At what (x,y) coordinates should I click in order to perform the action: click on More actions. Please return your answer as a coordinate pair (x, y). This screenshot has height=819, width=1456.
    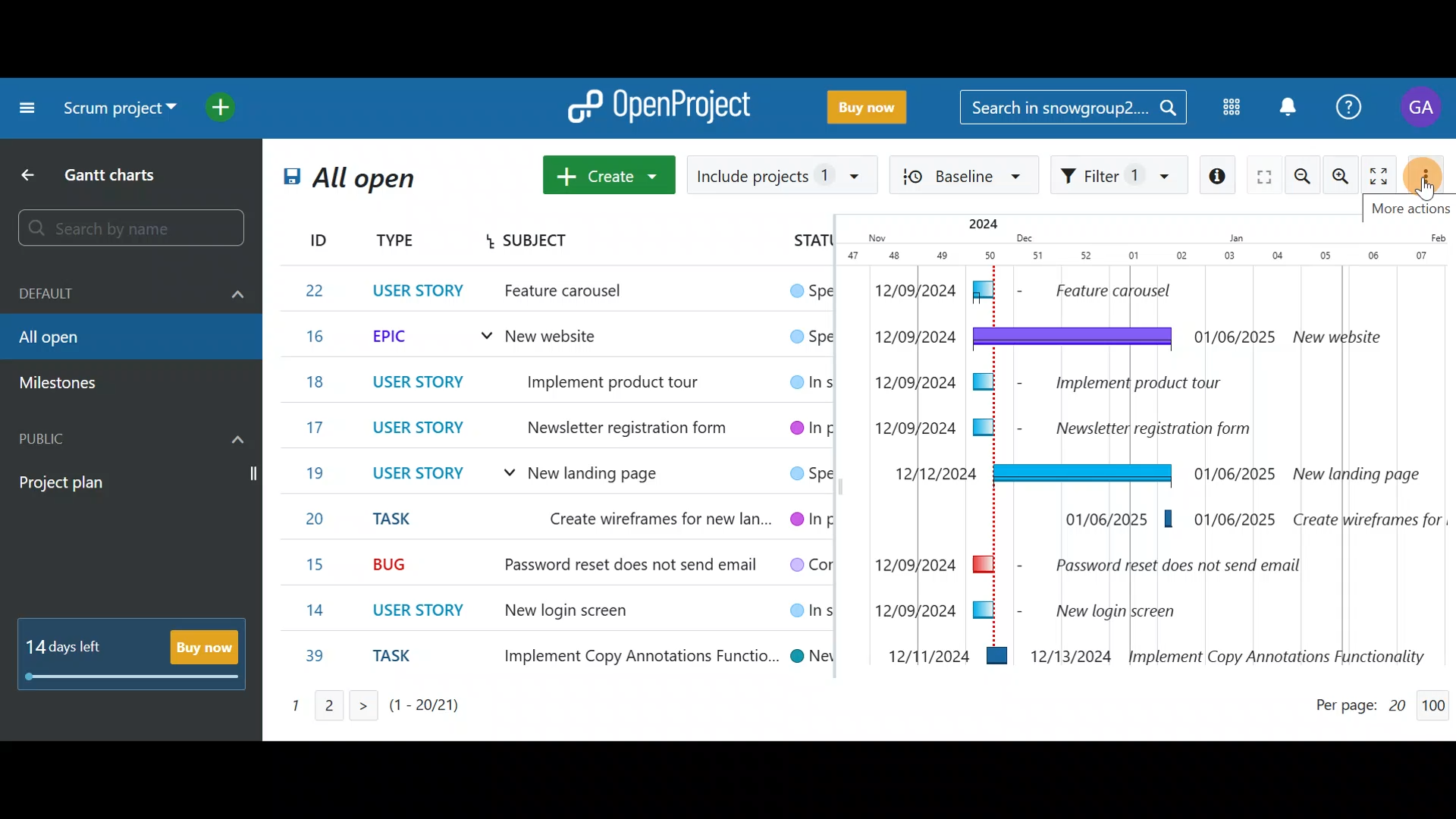
    Looking at the image, I should click on (1429, 174).